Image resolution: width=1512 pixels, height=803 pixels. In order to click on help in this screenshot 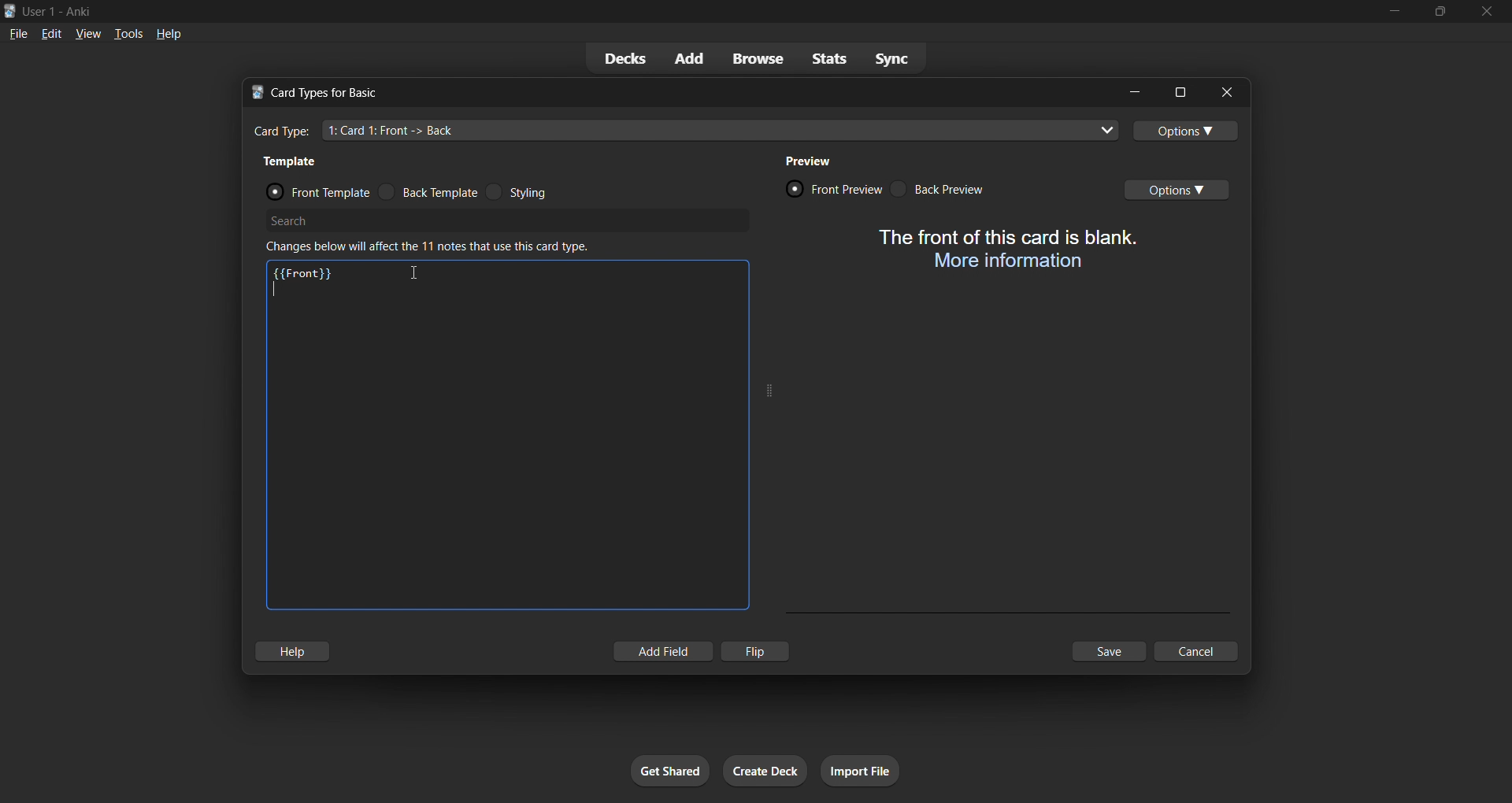, I will do `click(171, 35)`.